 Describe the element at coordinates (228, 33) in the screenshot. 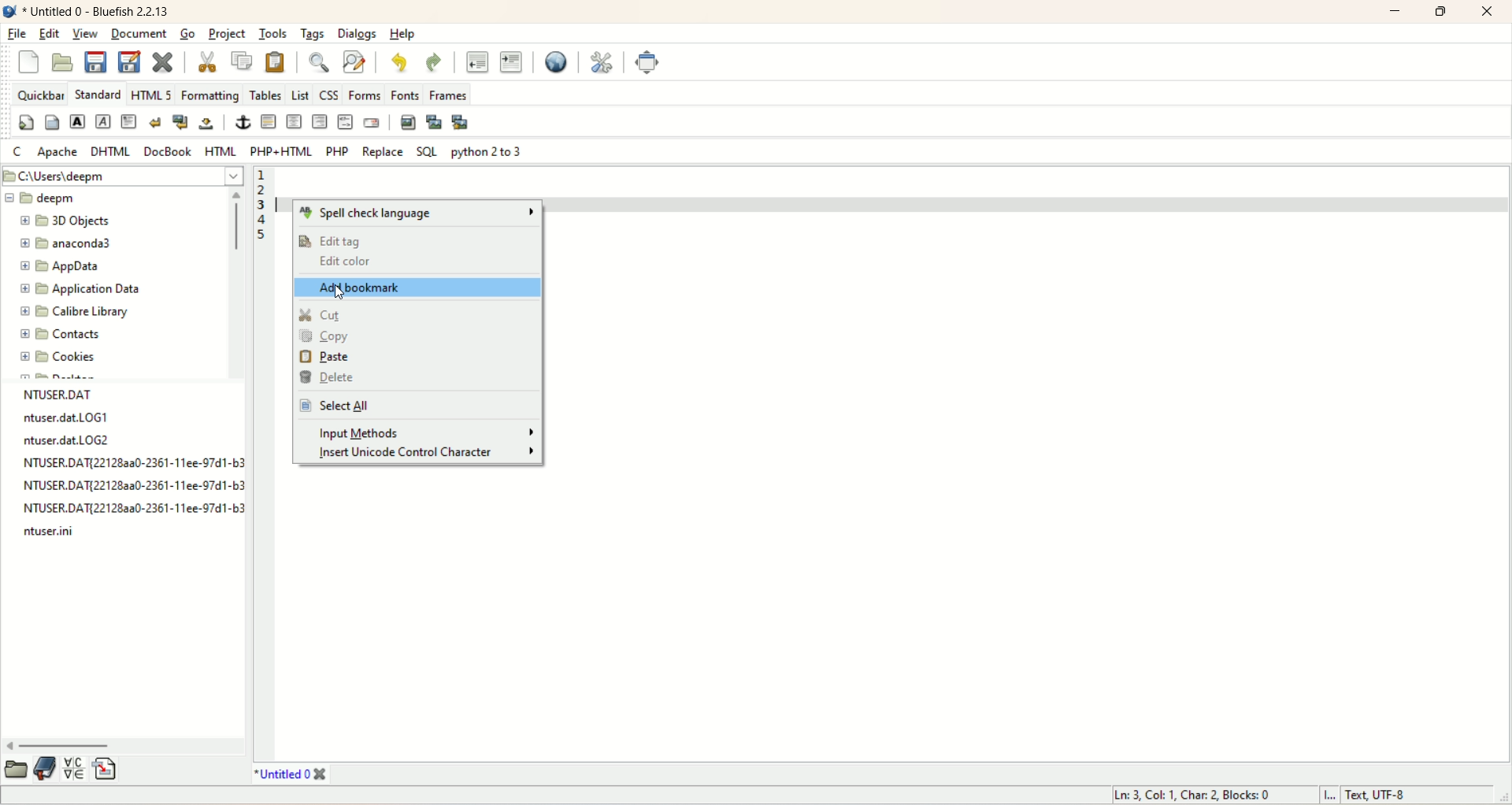

I see `project` at that location.